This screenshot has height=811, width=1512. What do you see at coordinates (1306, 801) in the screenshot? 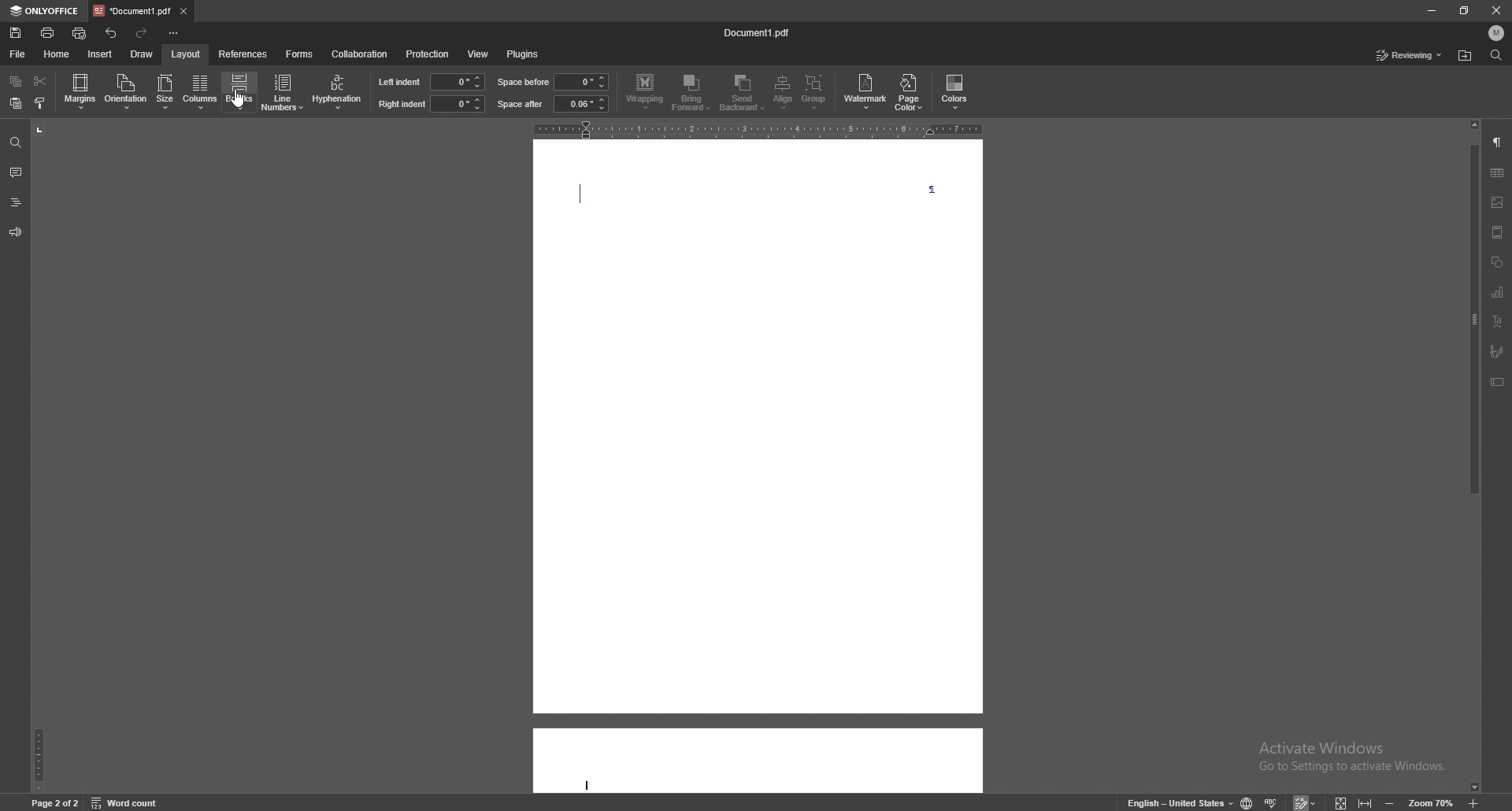
I see `track changes` at bounding box center [1306, 801].